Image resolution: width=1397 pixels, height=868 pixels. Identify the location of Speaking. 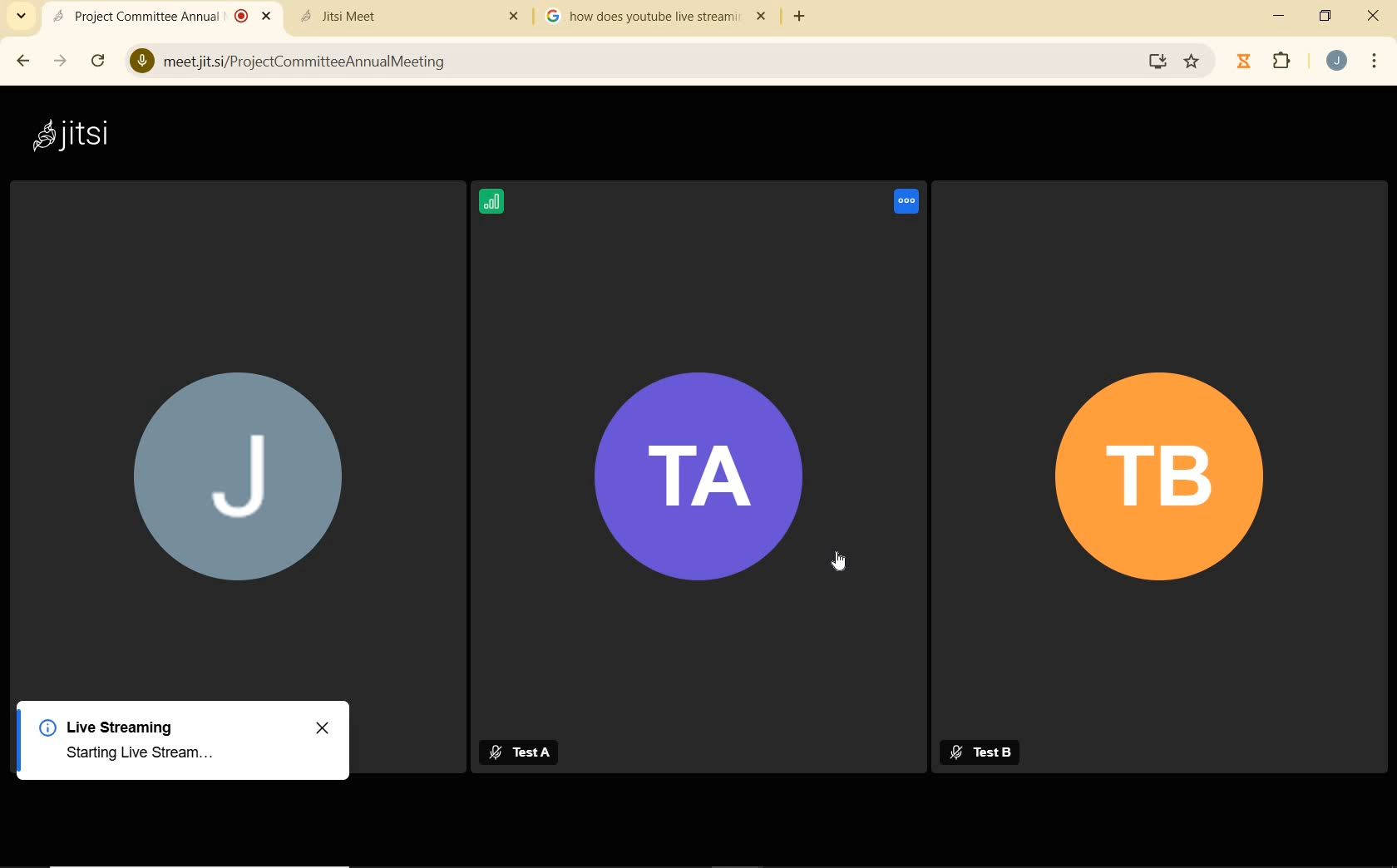
(908, 200).